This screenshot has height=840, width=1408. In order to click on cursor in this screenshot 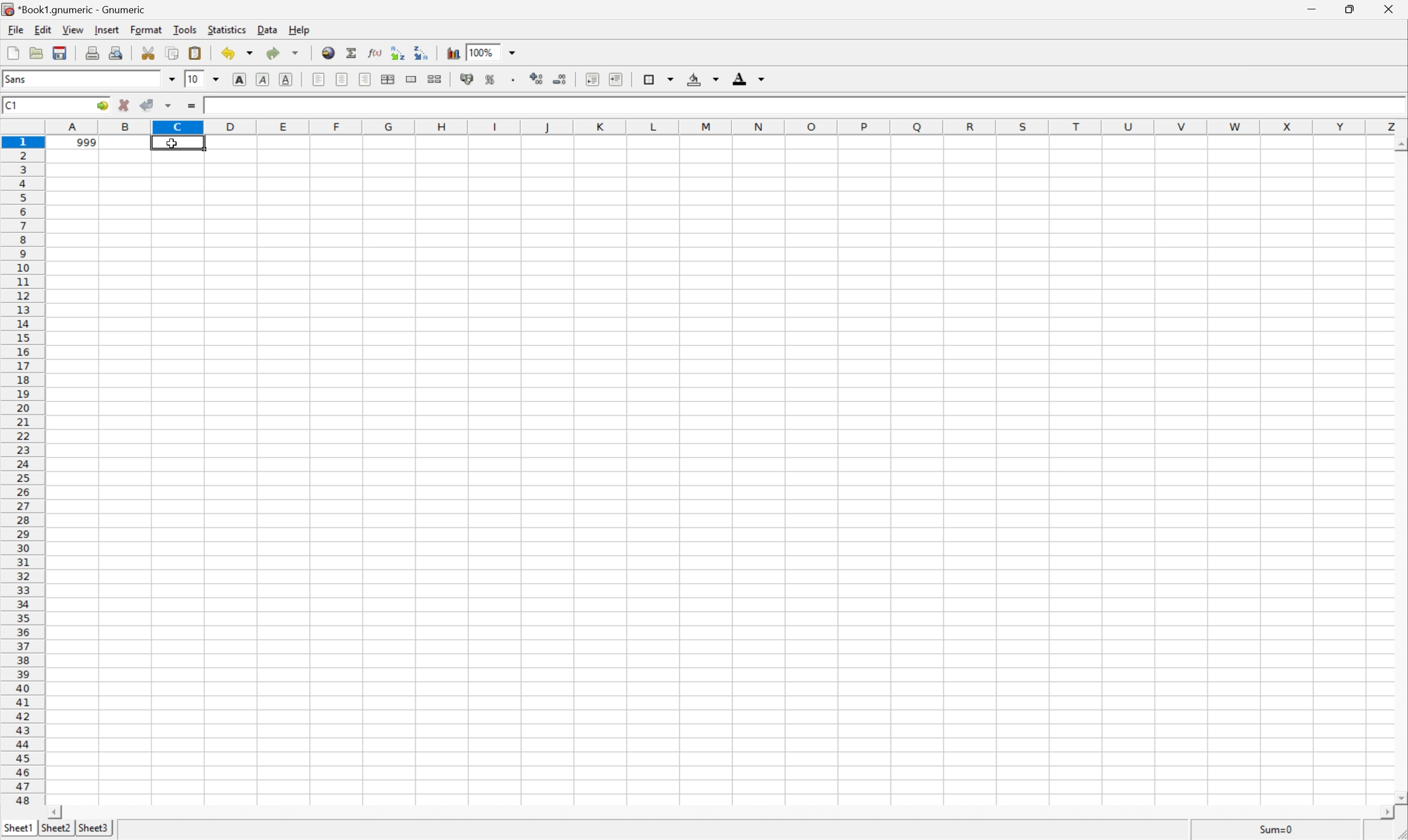, I will do `click(174, 144)`.